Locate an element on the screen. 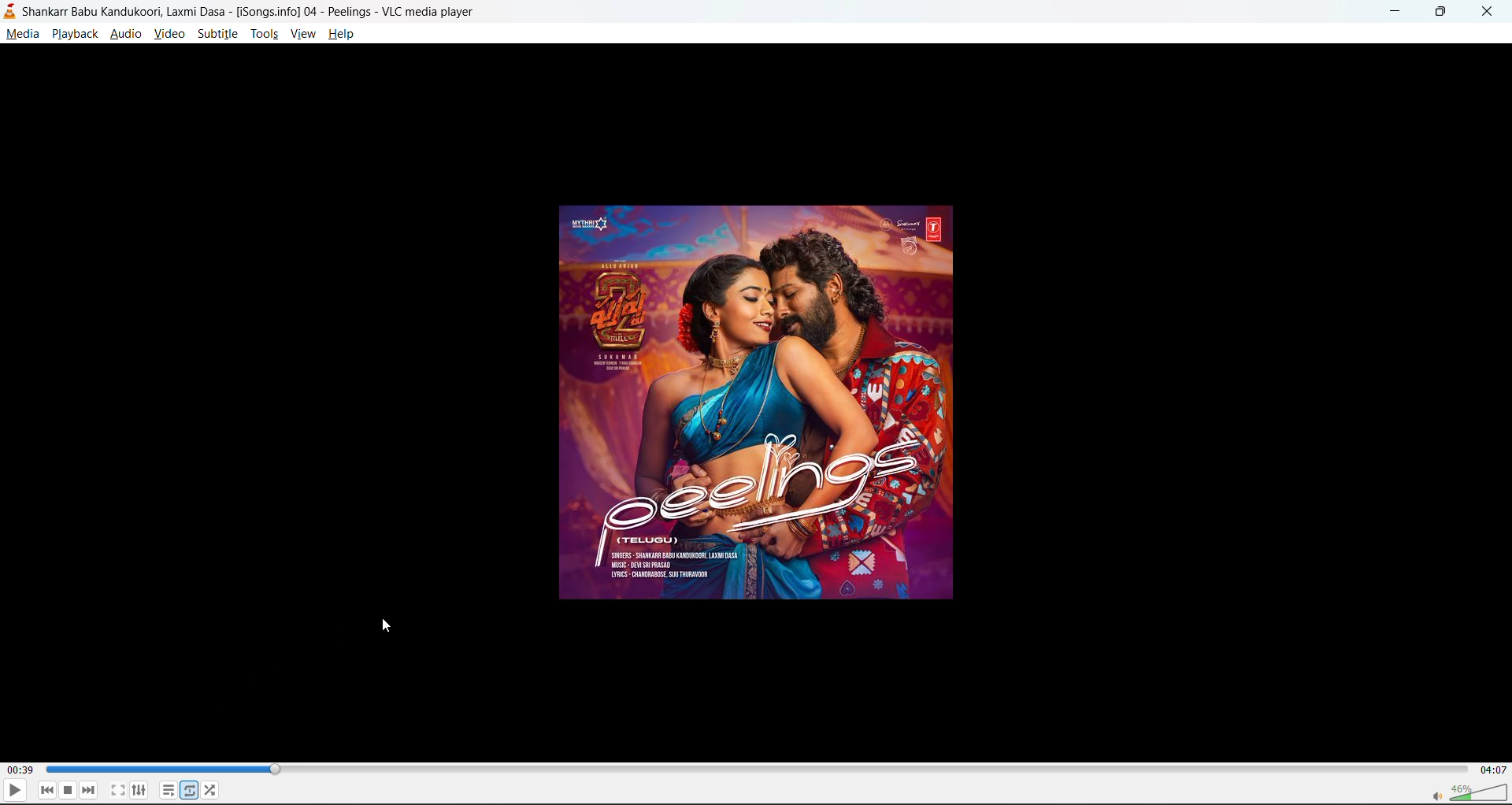 This screenshot has height=805, width=1512. playback is located at coordinates (75, 35).